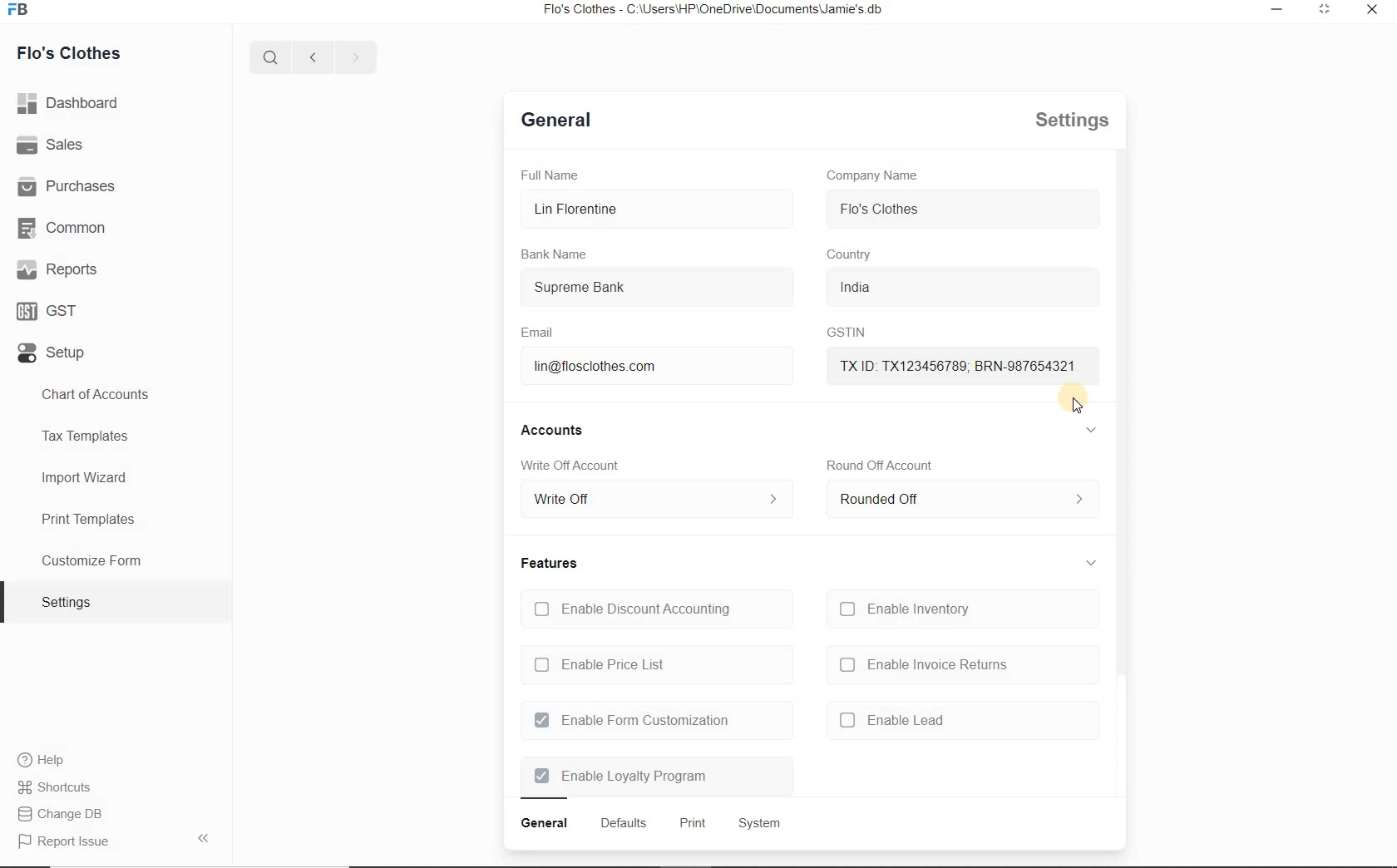 This screenshot has width=1397, height=868. What do you see at coordinates (550, 563) in the screenshot?
I see `features` at bounding box center [550, 563].